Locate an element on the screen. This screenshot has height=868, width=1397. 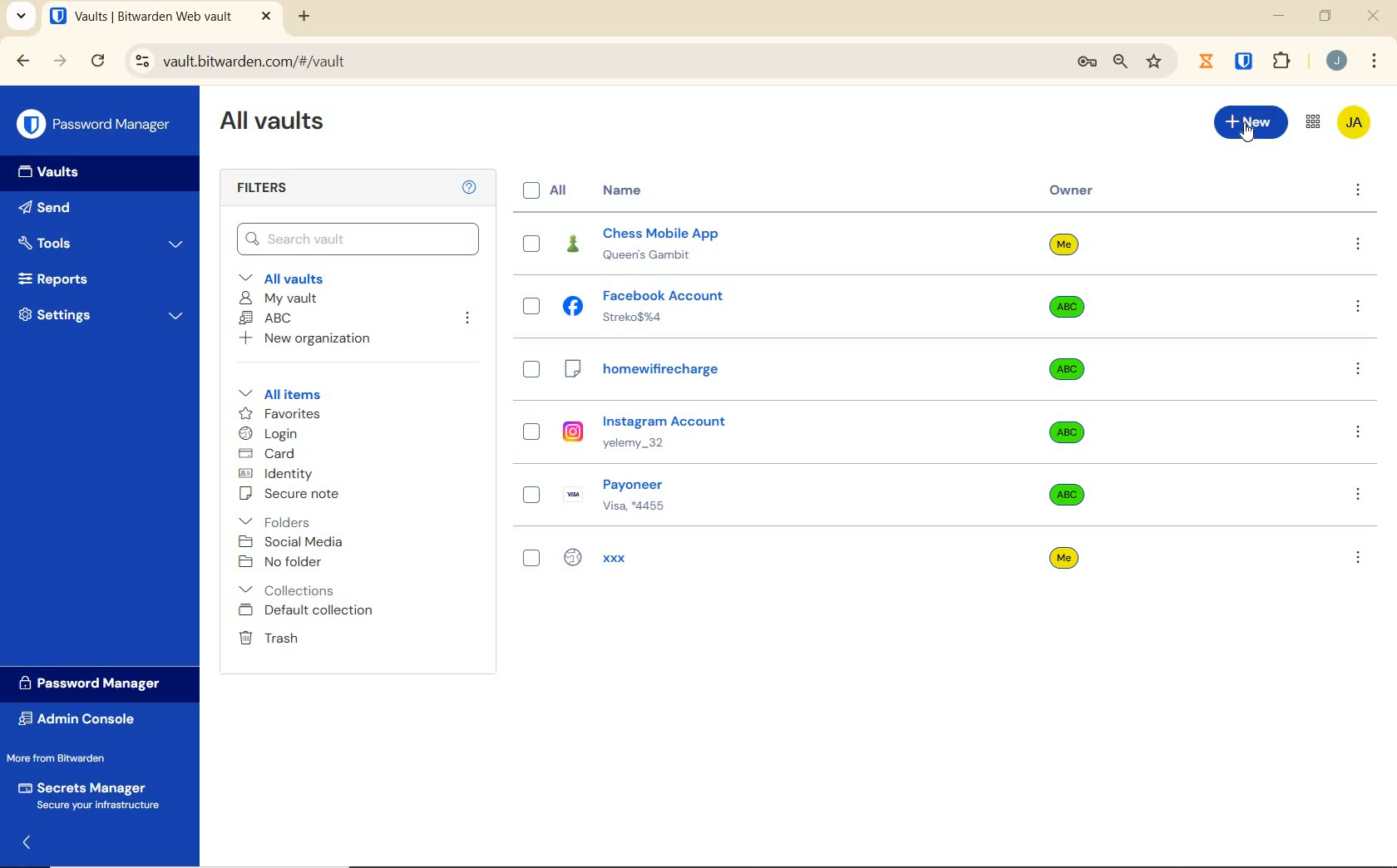
more options is located at coordinates (1357, 434).